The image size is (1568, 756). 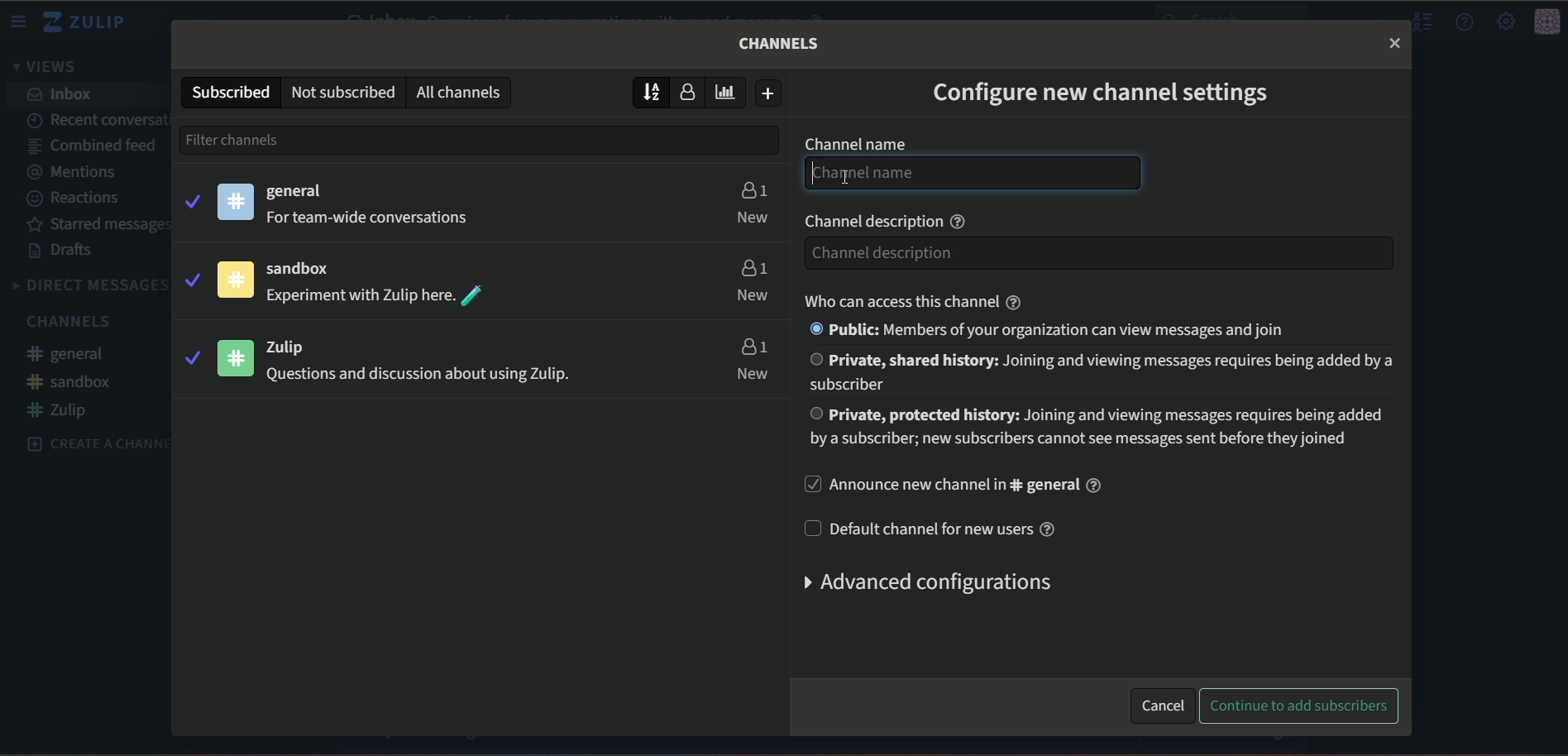 What do you see at coordinates (1300, 706) in the screenshot?
I see `Continue to add subscribers` at bounding box center [1300, 706].